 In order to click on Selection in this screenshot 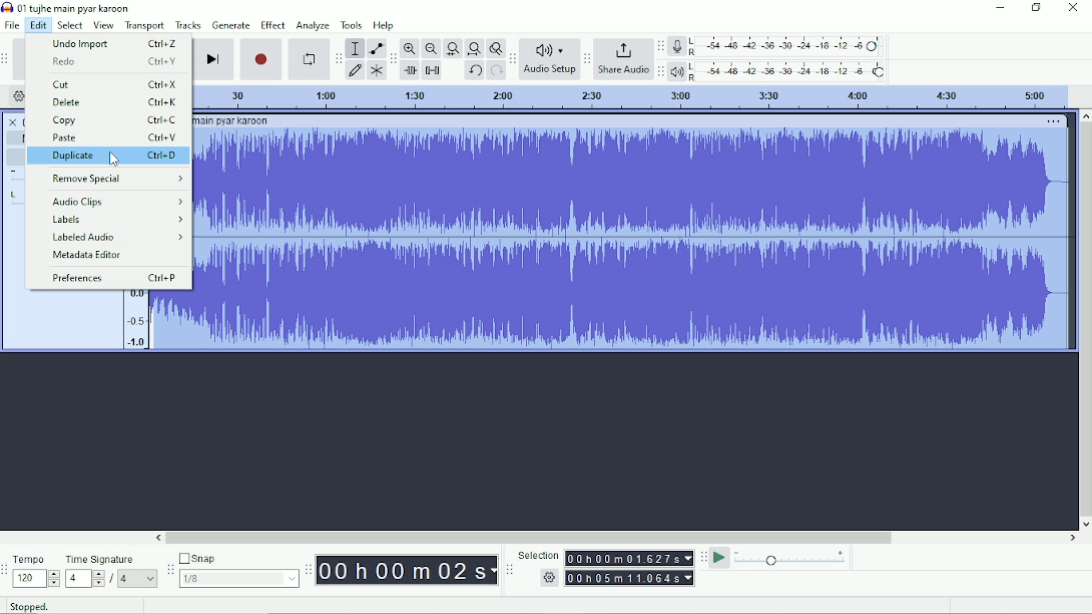, I will do `click(538, 554)`.